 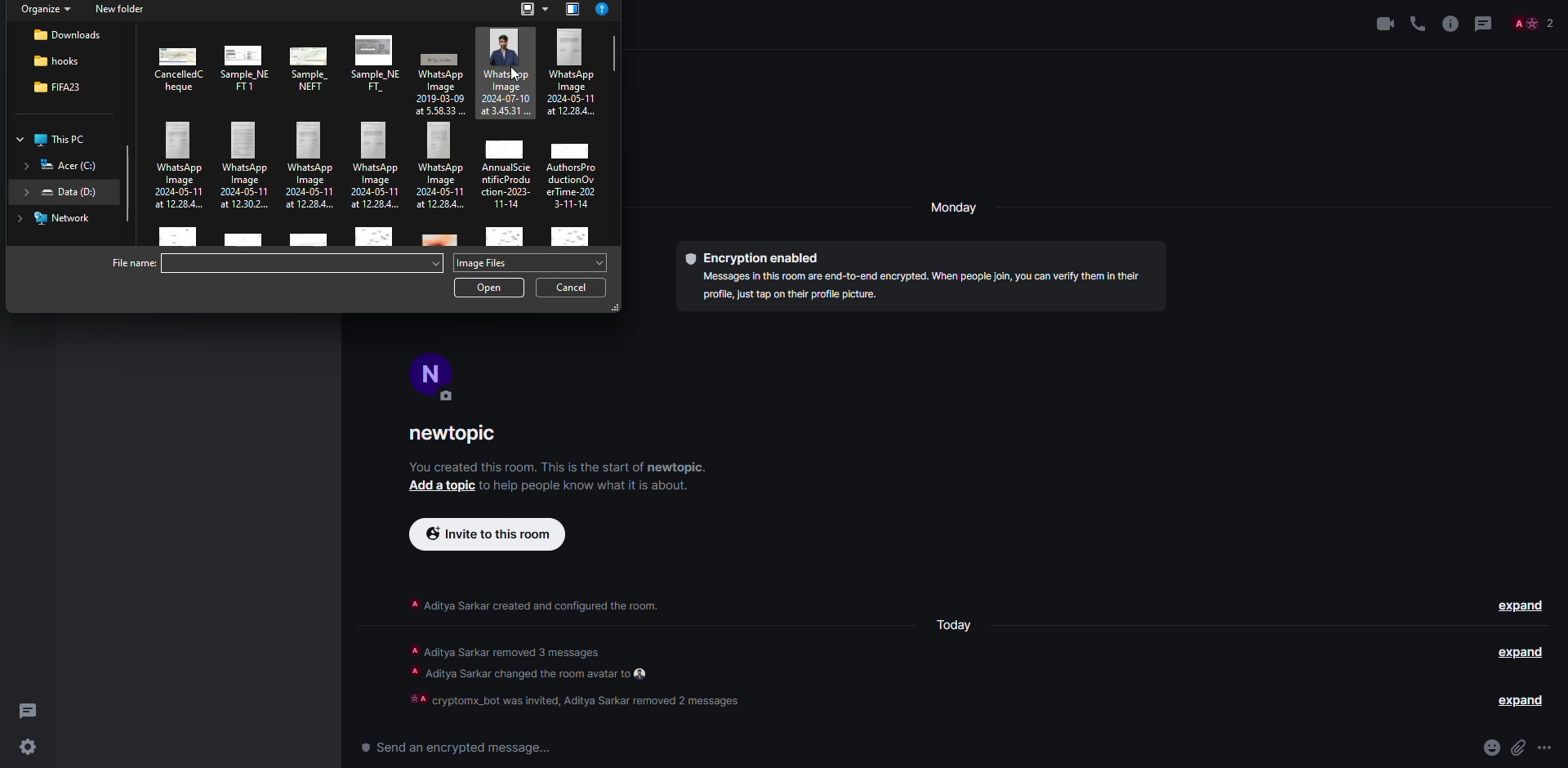 What do you see at coordinates (491, 289) in the screenshot?
I see `open` at bounding box center [491, 289].